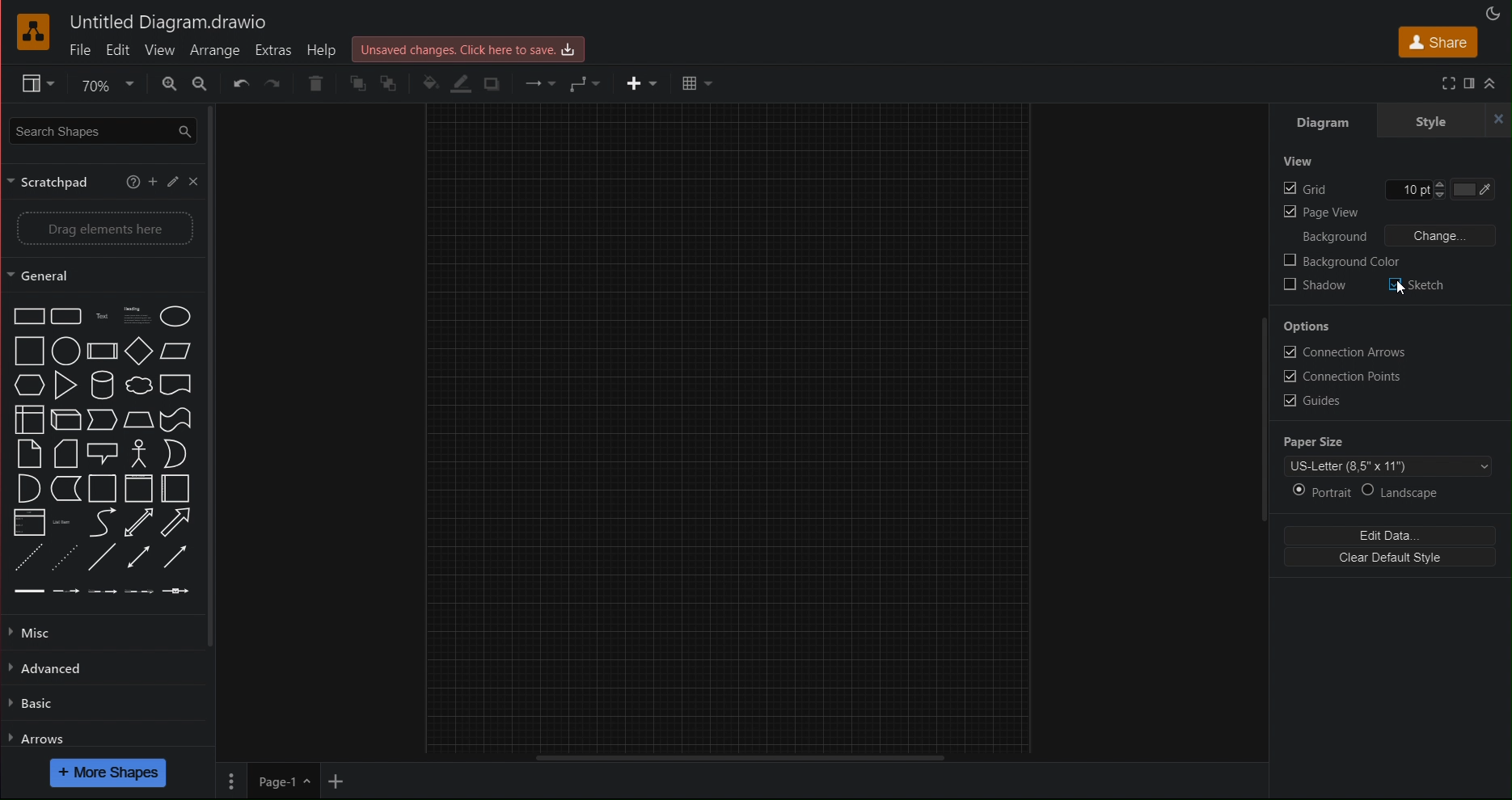 This screenshot has height=800, width=1512. Describe the element at coordinates (49, 183) in the screenshot. I see `Scratchpad` at that location.